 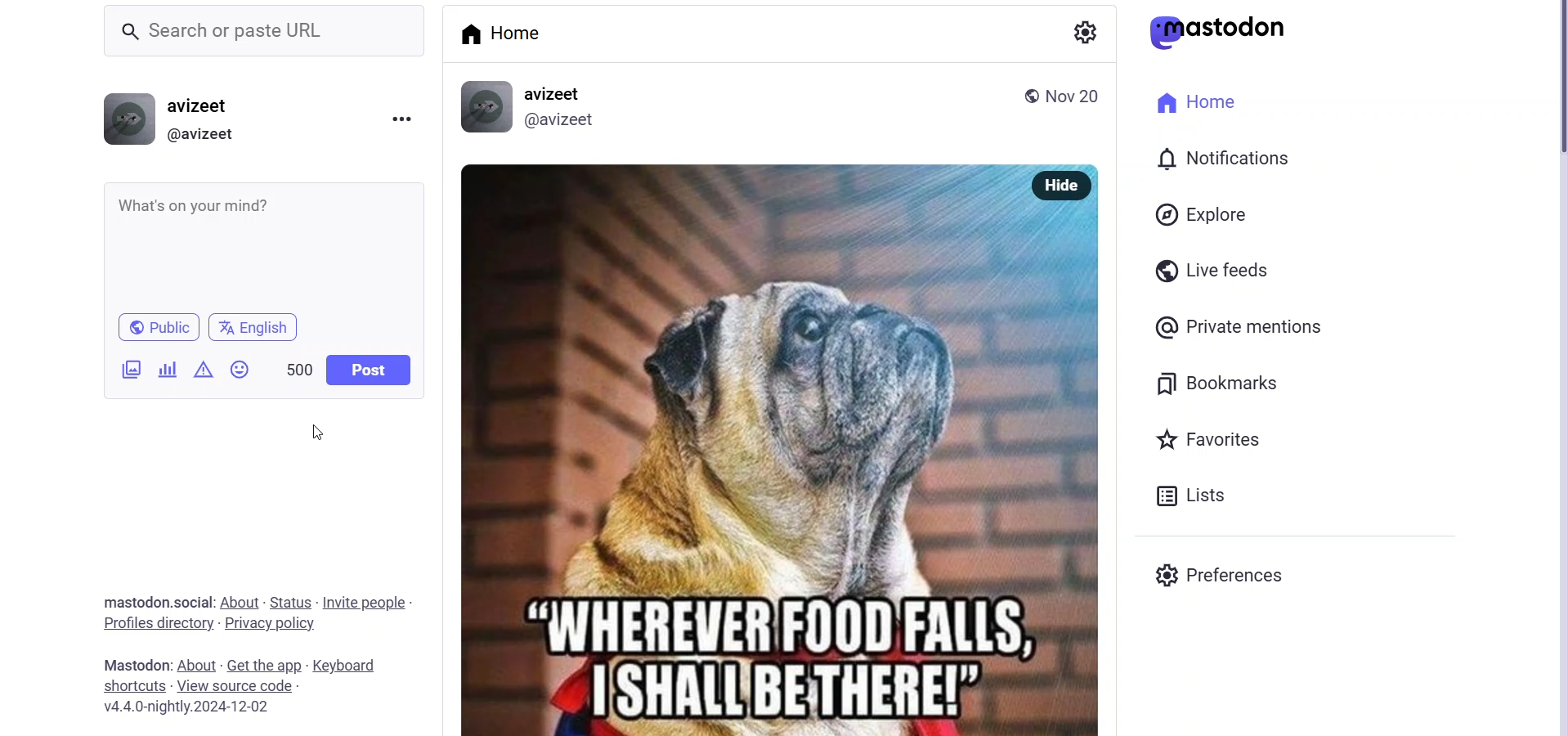 I want to click on private mentions, so click(x=1267, y=325).